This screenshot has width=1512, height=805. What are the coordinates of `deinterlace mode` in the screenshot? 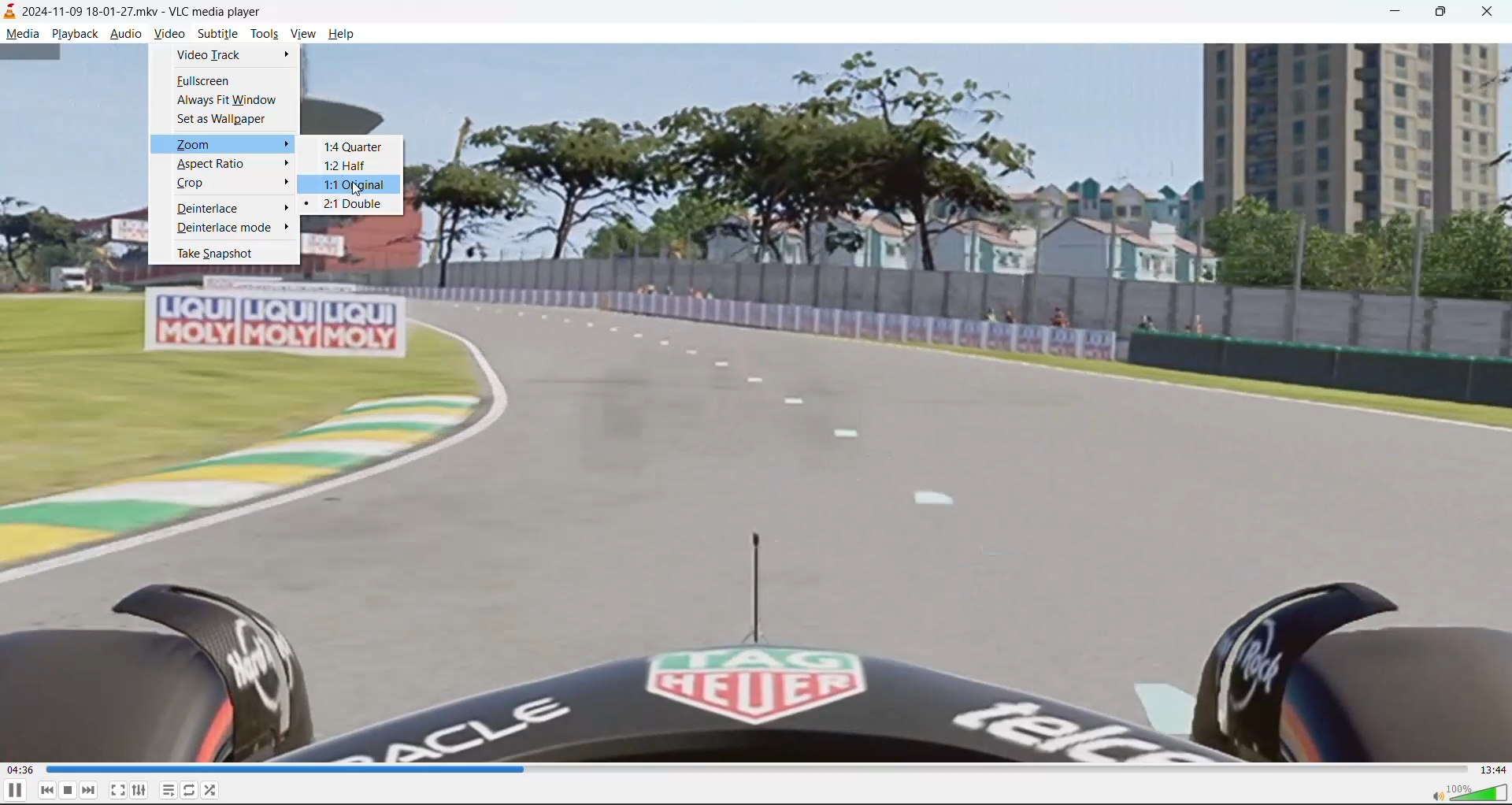 It's located at (232, 226).